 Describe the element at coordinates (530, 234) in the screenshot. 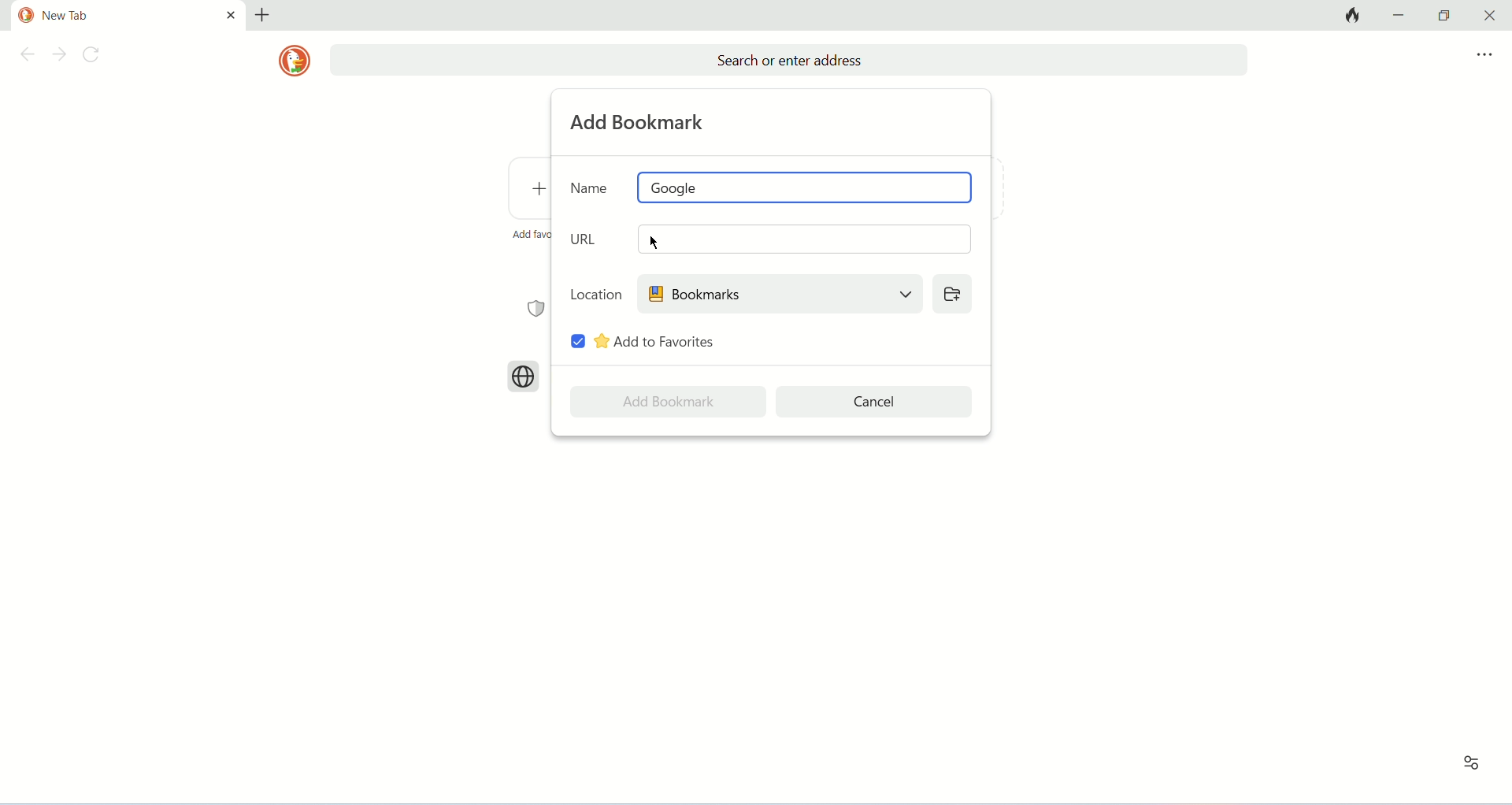

I see `add favorite` at that location.